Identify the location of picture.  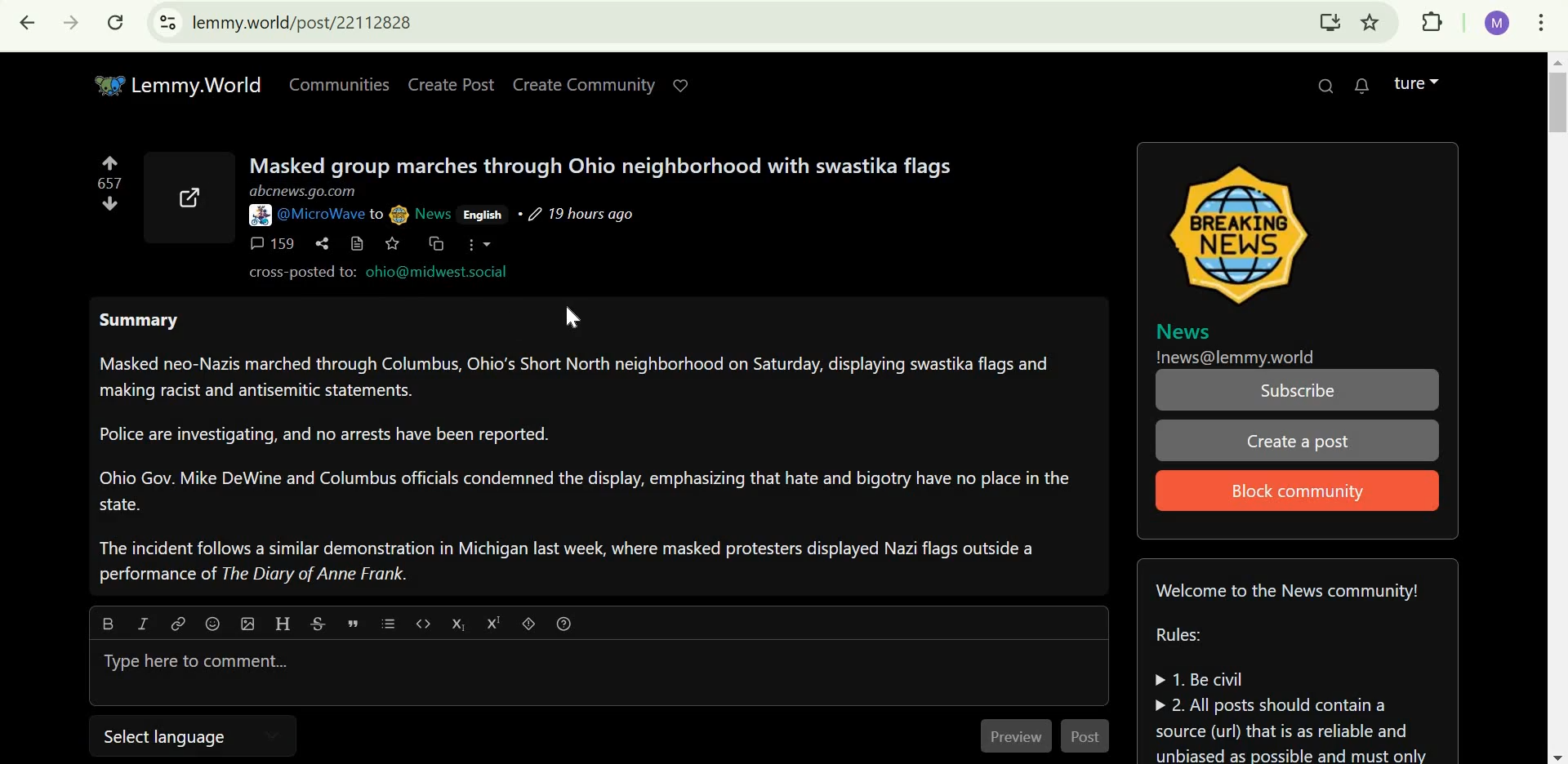
(399, 214).